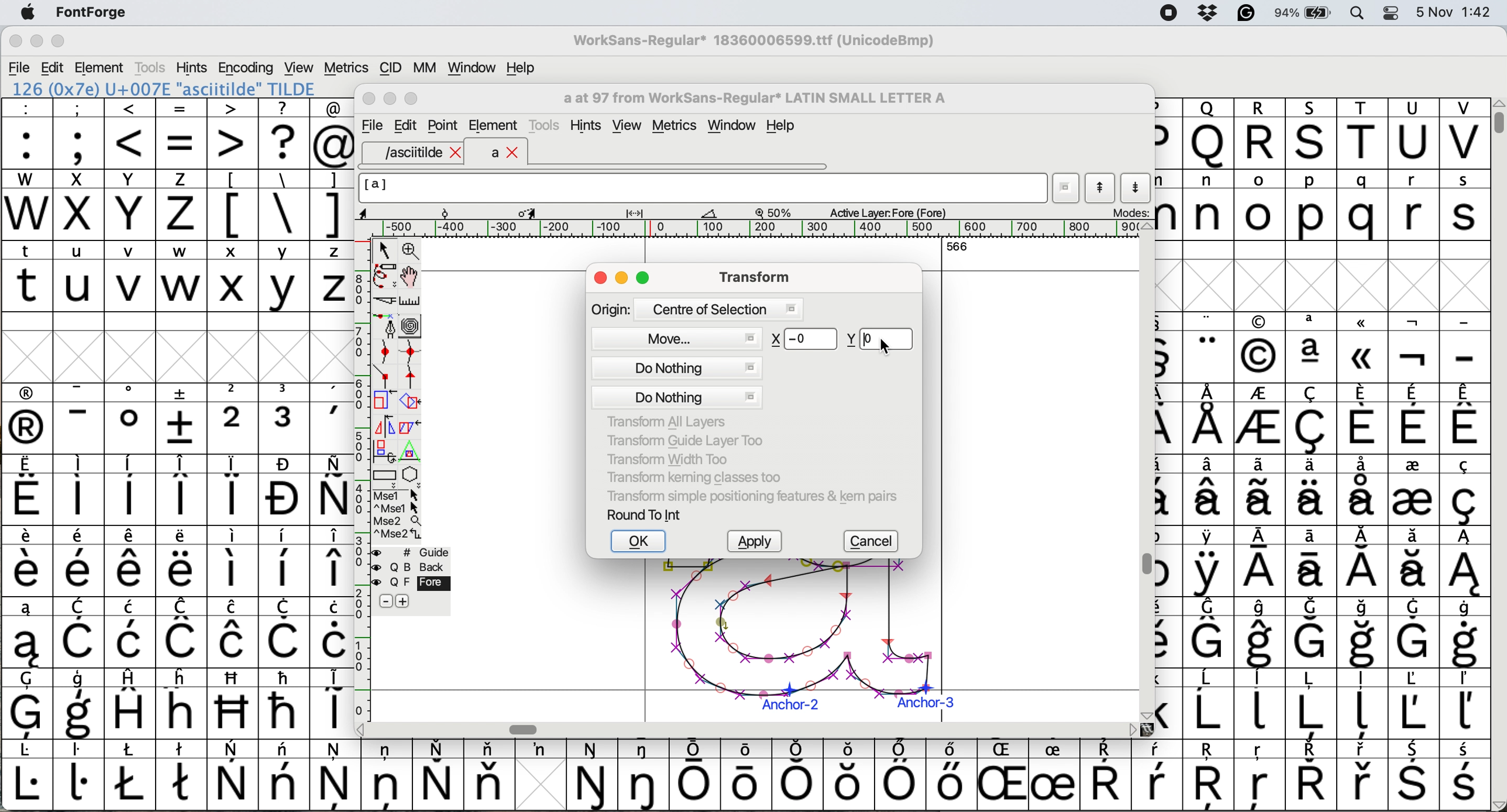  Describe the element at coordinates (27, 13) in the screenshot. I see `system logo` at that location.